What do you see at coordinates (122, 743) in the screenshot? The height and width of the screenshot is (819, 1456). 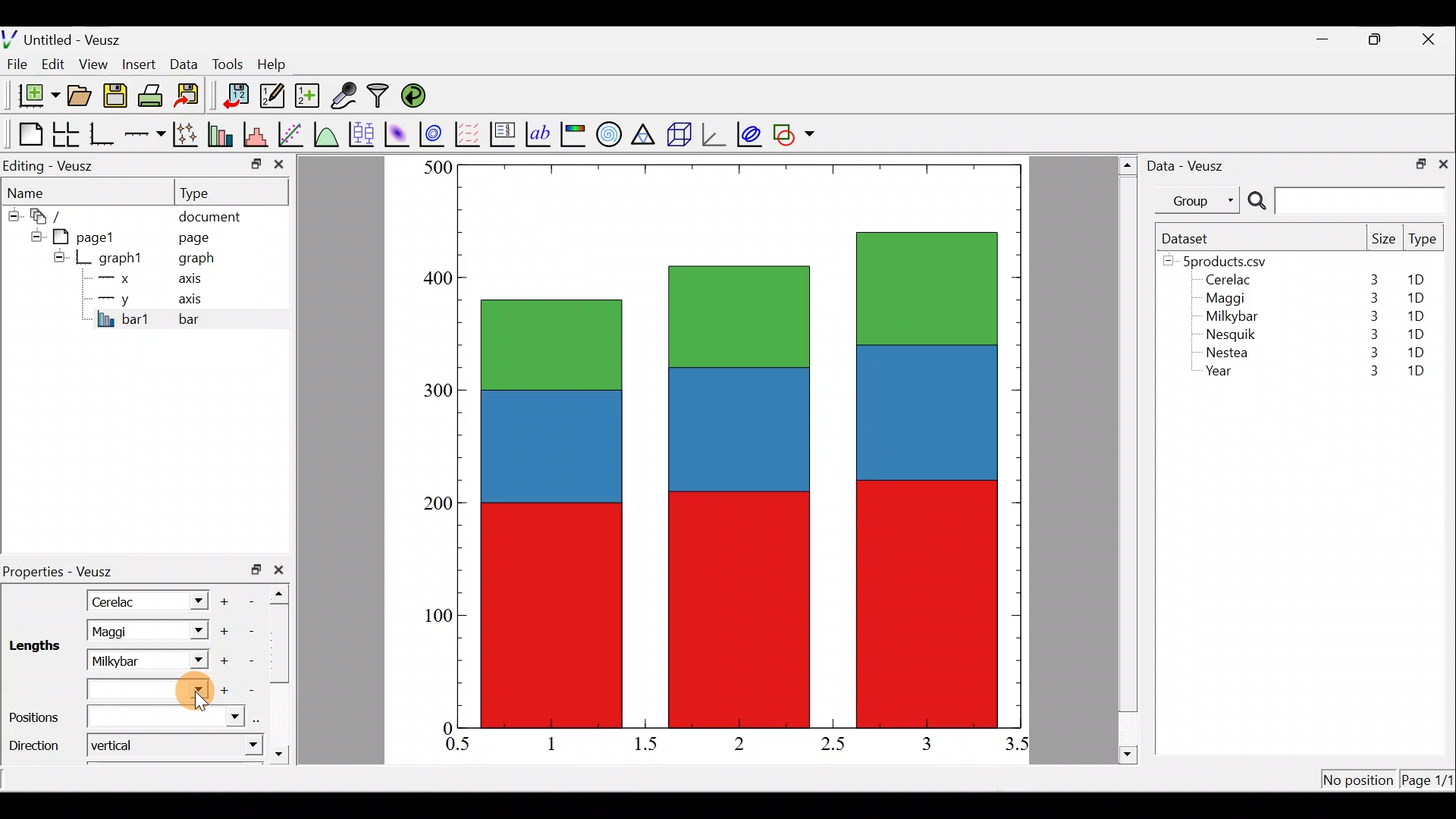 I see `Vertical` at bounding box center [122, 743].